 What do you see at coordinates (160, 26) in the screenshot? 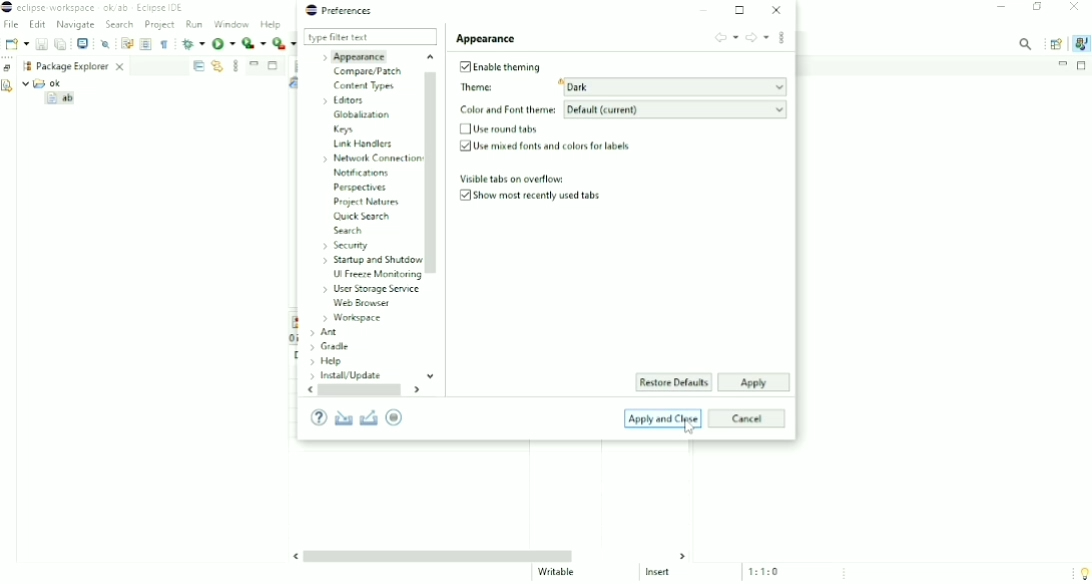
I see `Project` at bounding box center [160, 26].